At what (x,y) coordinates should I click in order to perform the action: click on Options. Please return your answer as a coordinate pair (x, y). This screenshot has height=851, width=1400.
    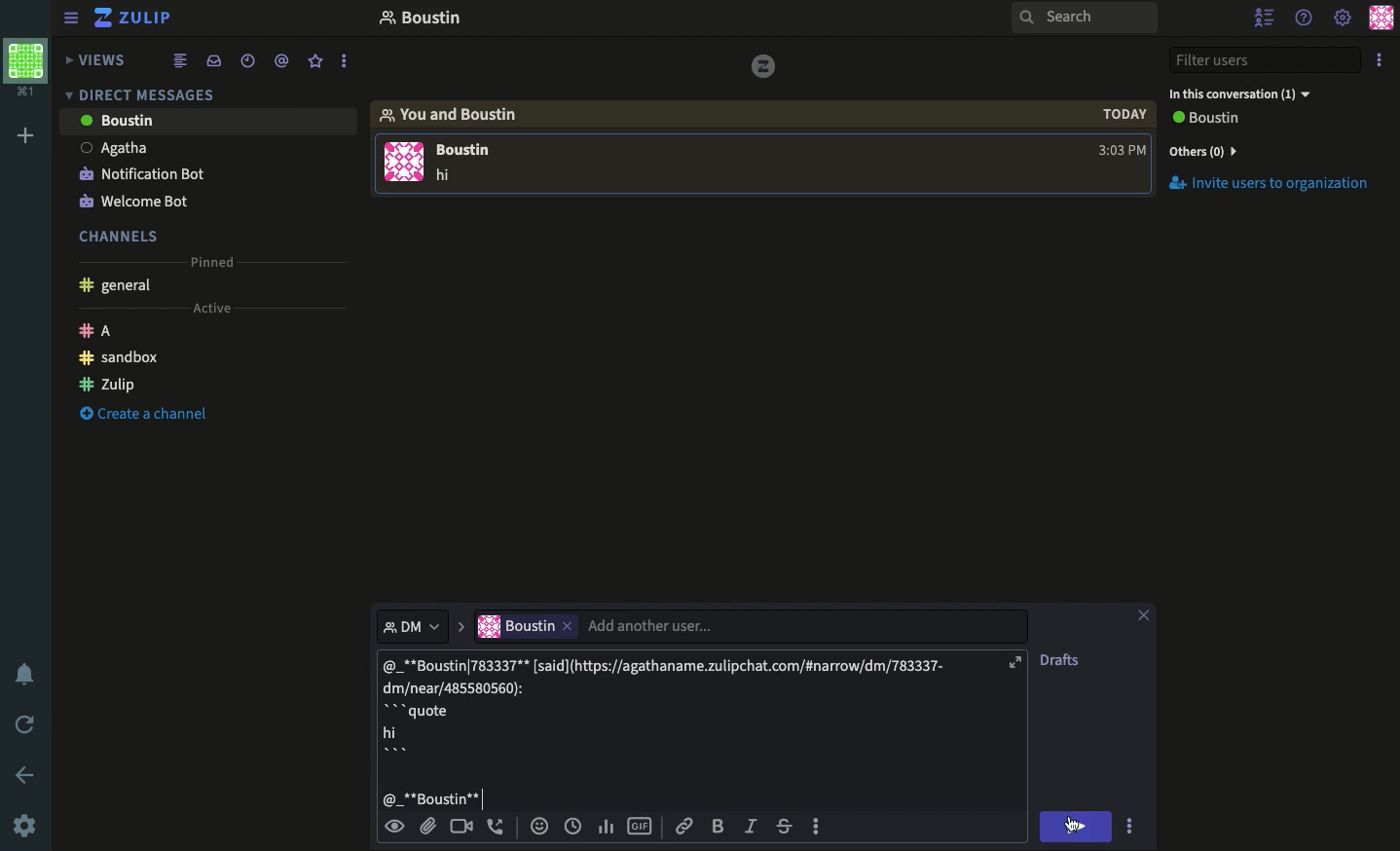
    Looking at the image, I should click on (1381, 62).